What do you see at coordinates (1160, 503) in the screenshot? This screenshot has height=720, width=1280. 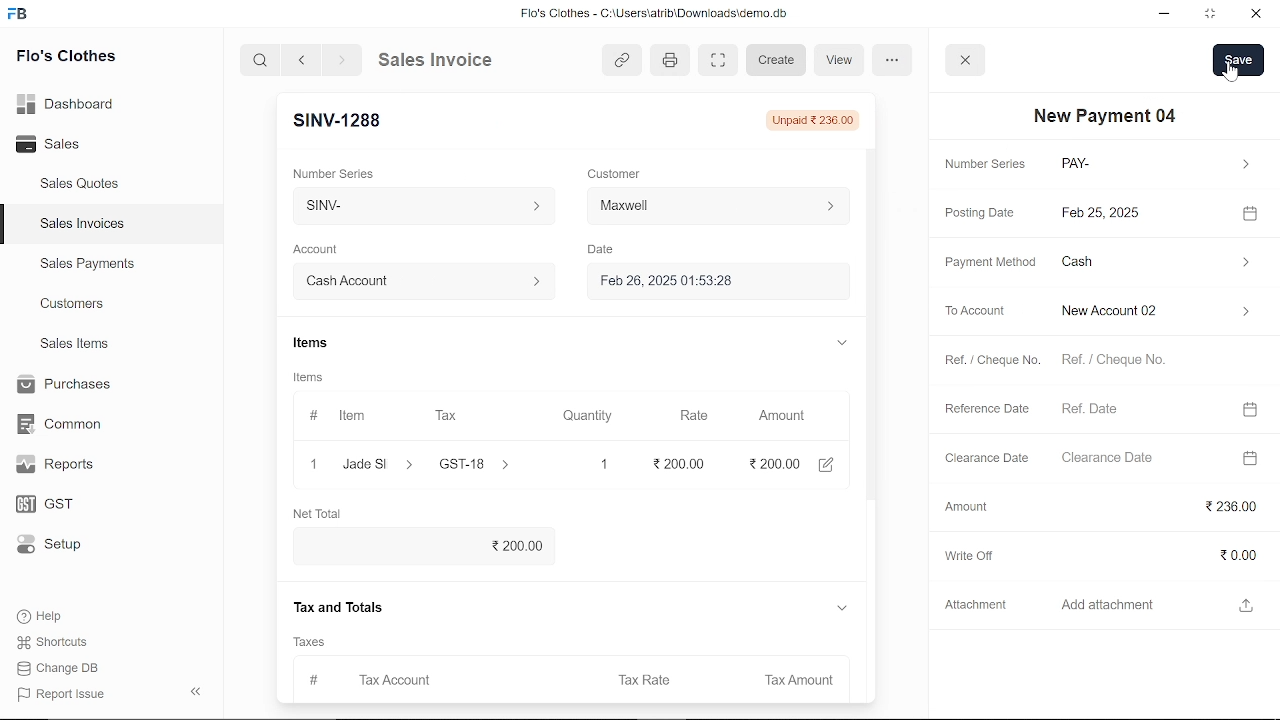 I see `2236.00` at bounding box center [1160, 503].